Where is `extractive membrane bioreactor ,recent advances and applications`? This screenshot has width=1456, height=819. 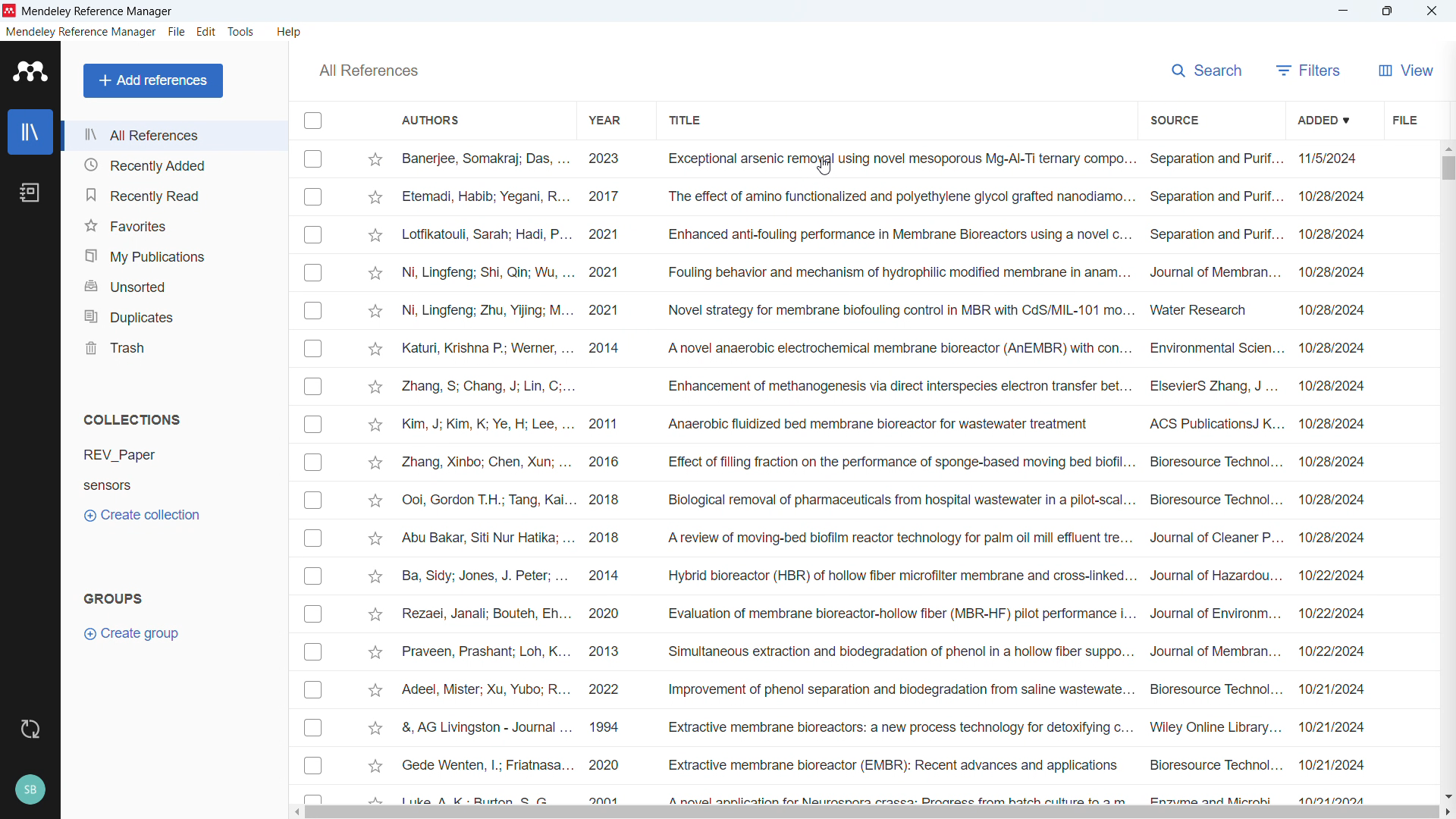
extractive membrane bioreactor ,recent advances and applications is located at coordinates (893, 766).